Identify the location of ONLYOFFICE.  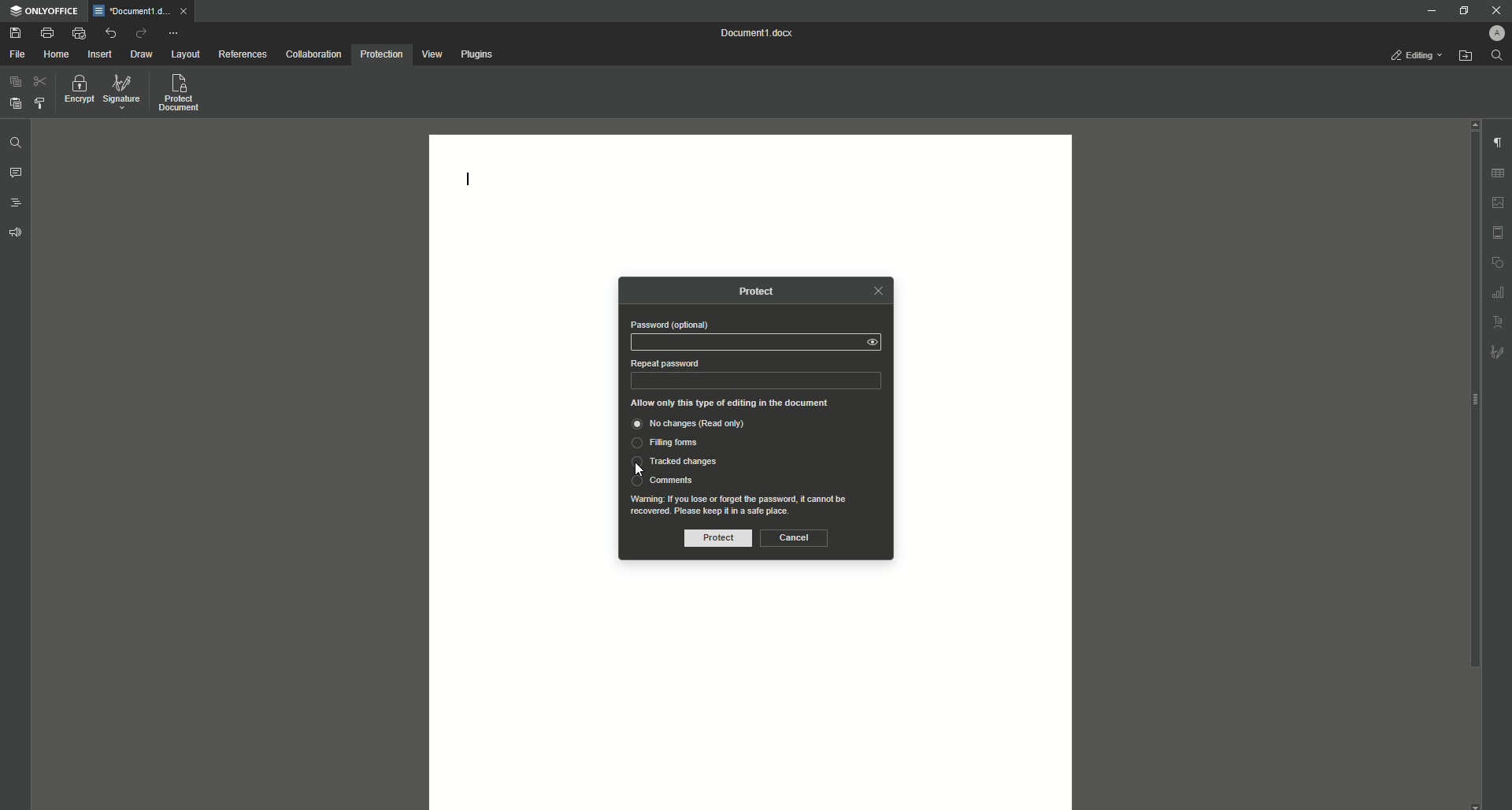
(45, 10).